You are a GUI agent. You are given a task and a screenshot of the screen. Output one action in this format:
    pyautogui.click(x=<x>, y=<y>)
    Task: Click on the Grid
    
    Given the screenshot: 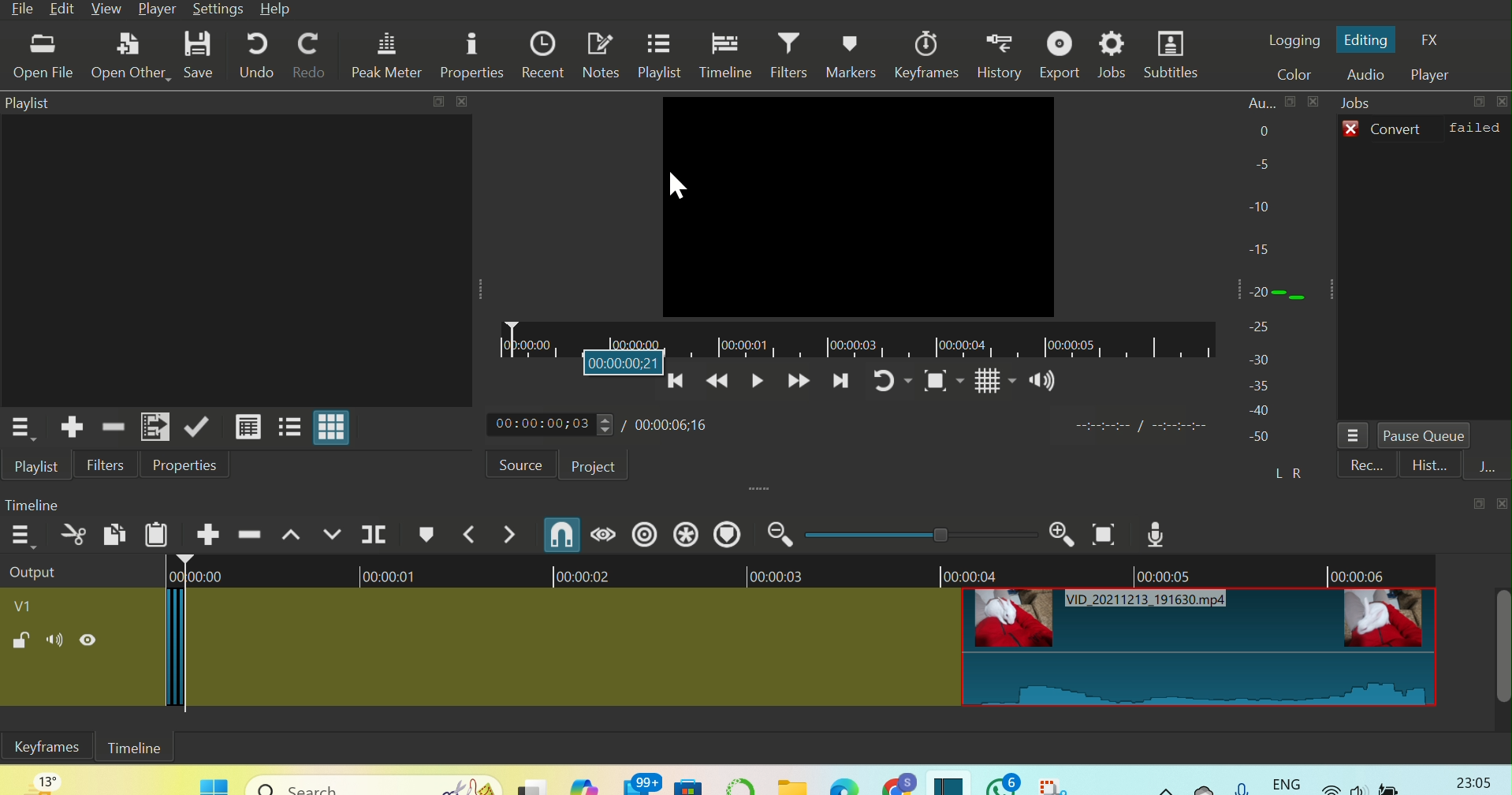 What is the action you would take?
    pyautogui.click(x=987, y=383)
    